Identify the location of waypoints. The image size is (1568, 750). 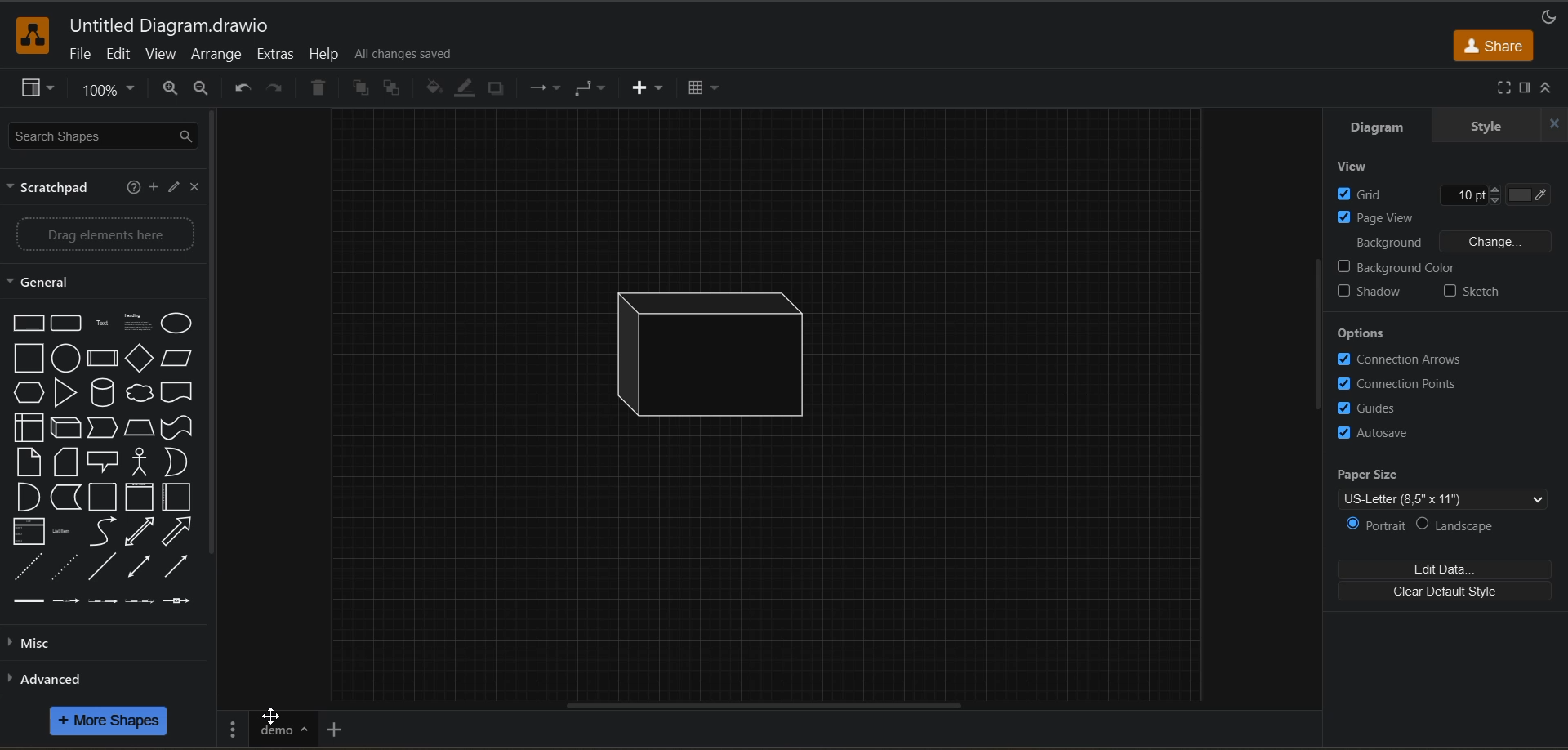
(593, 87).